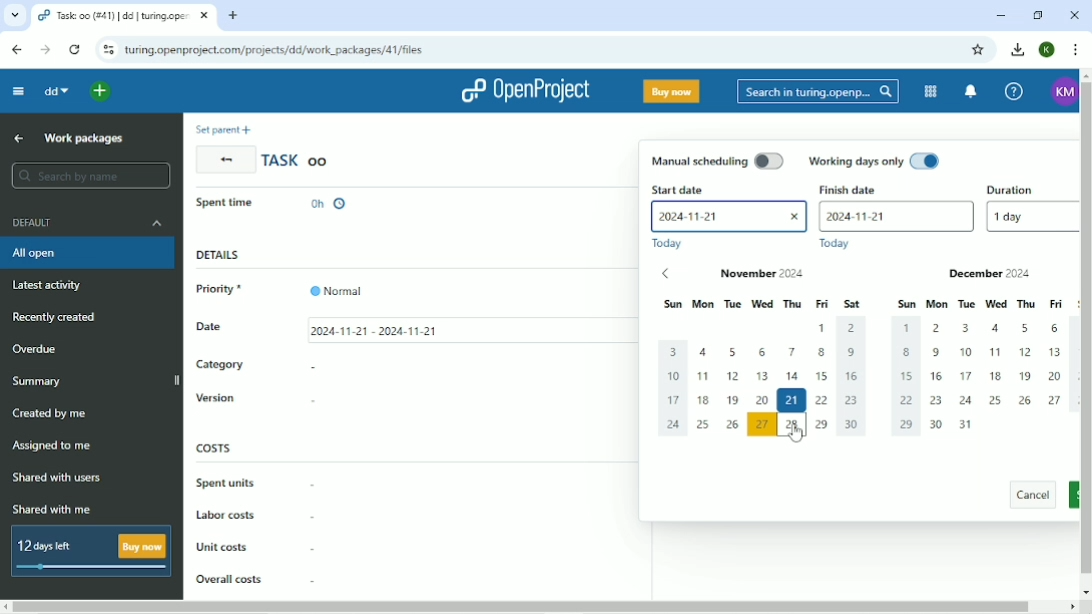 This screenshot has height=614, width=1092. What do you see at coordinates (317, 487) in the screenshot?
I see `-` at bounding box center [317, 487].